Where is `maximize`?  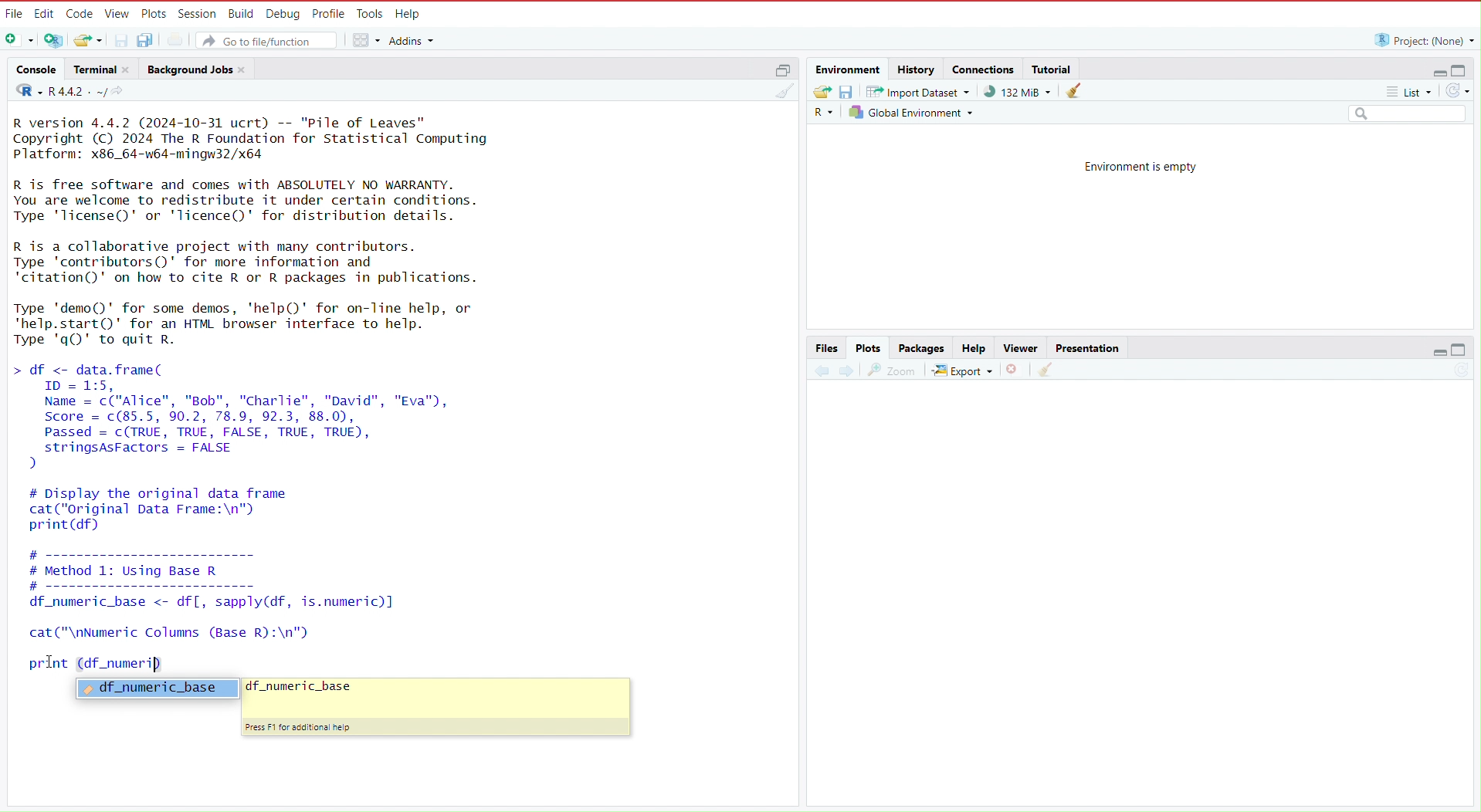 maximize is located at coordinates (781, 68).